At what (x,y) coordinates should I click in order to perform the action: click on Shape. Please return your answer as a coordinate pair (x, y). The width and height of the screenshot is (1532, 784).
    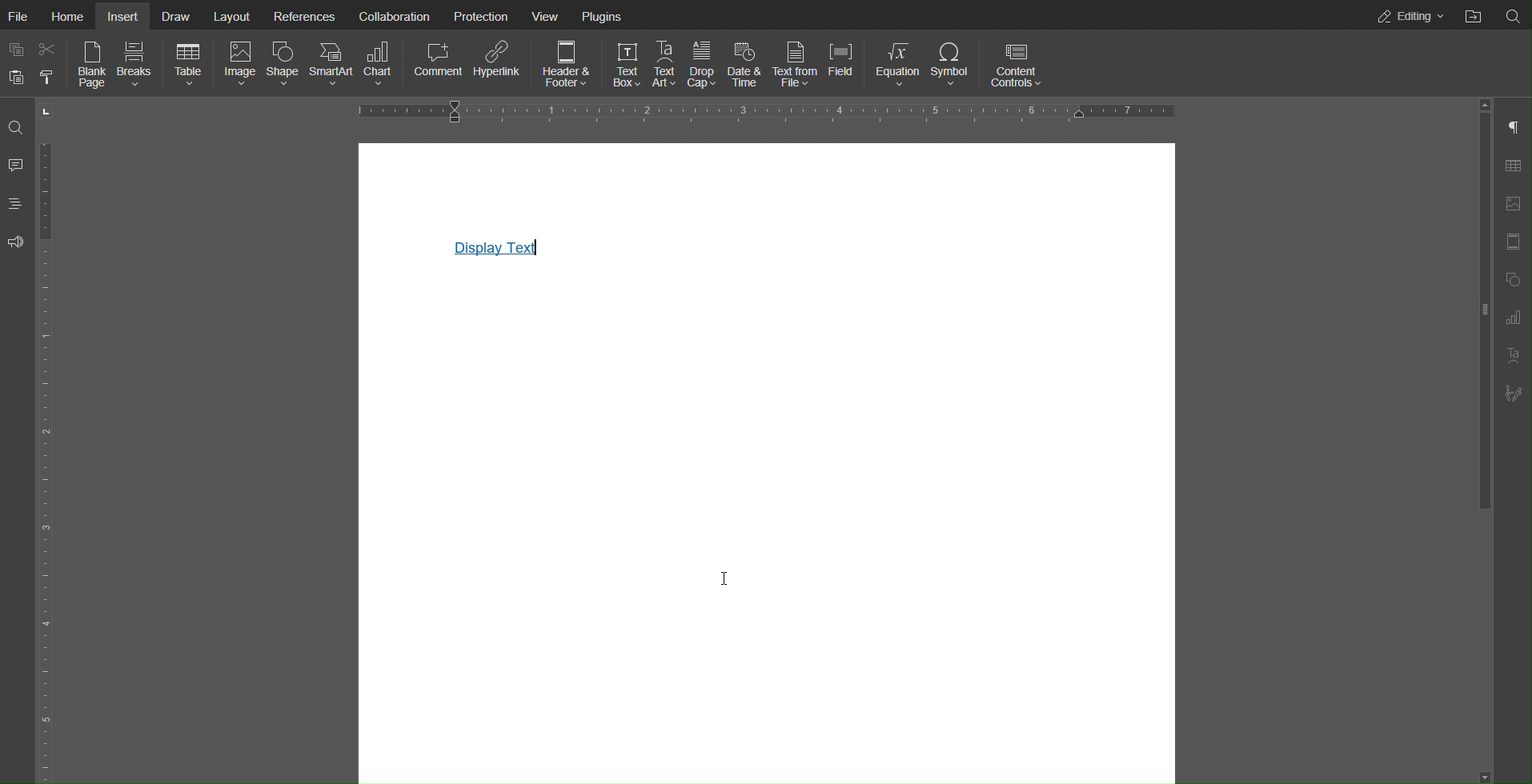
    Looking at the image, I should click on (284, 66).